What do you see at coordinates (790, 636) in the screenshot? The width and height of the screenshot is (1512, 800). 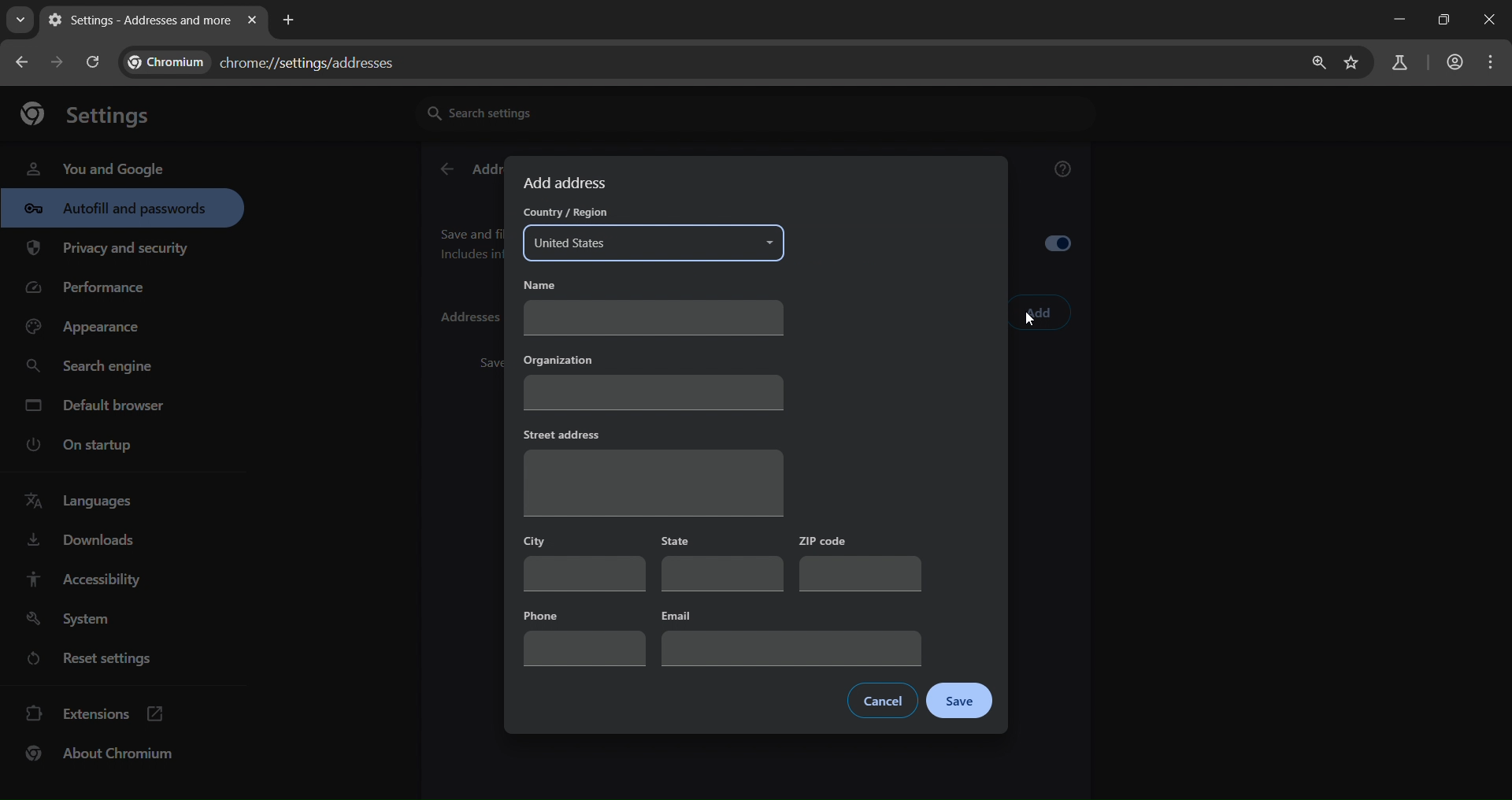 I see `email` at bounding box center [790, 636].